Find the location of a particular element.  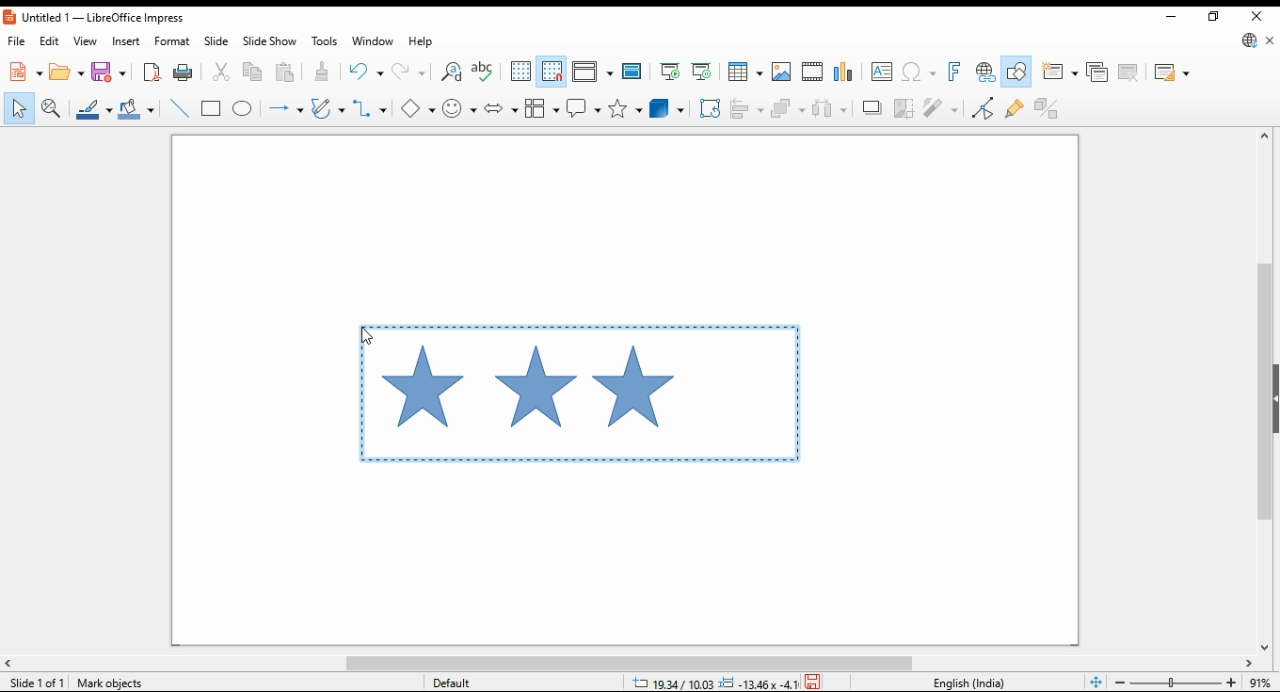

start from current slide is located at coordinates (701, 72).